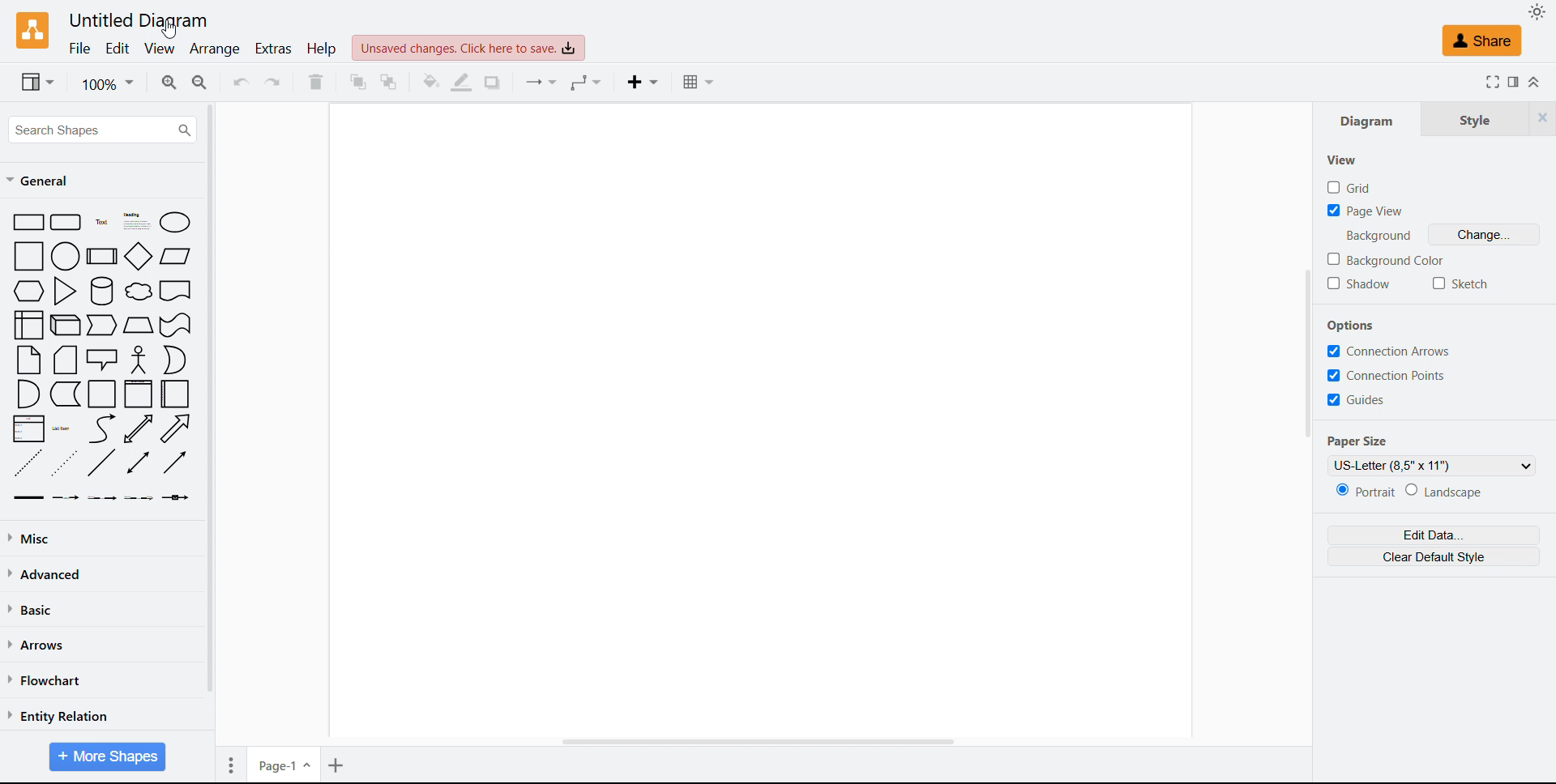  What do you see at coordinates (1389, 352) in the screenshot?
I see `connection arrows ` at bounding box center [1389, 352].